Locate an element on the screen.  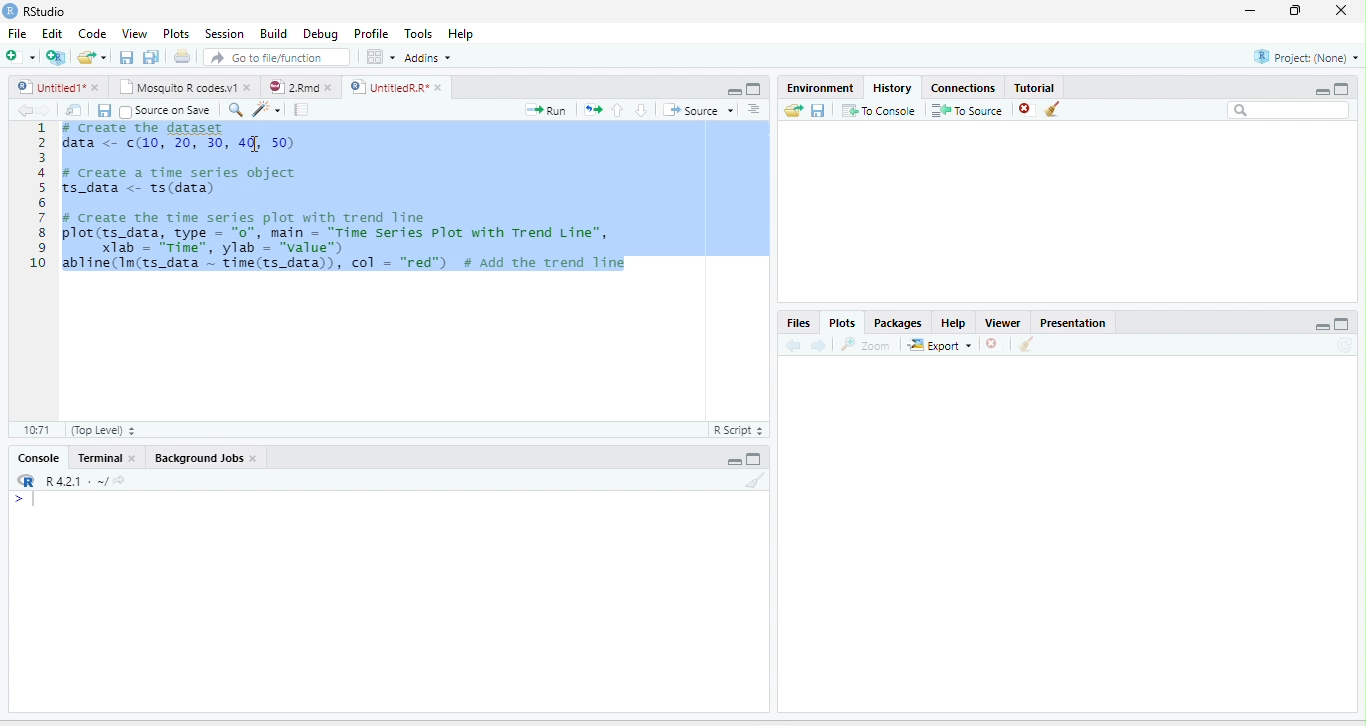
close is located at coordinates (1341, 11).